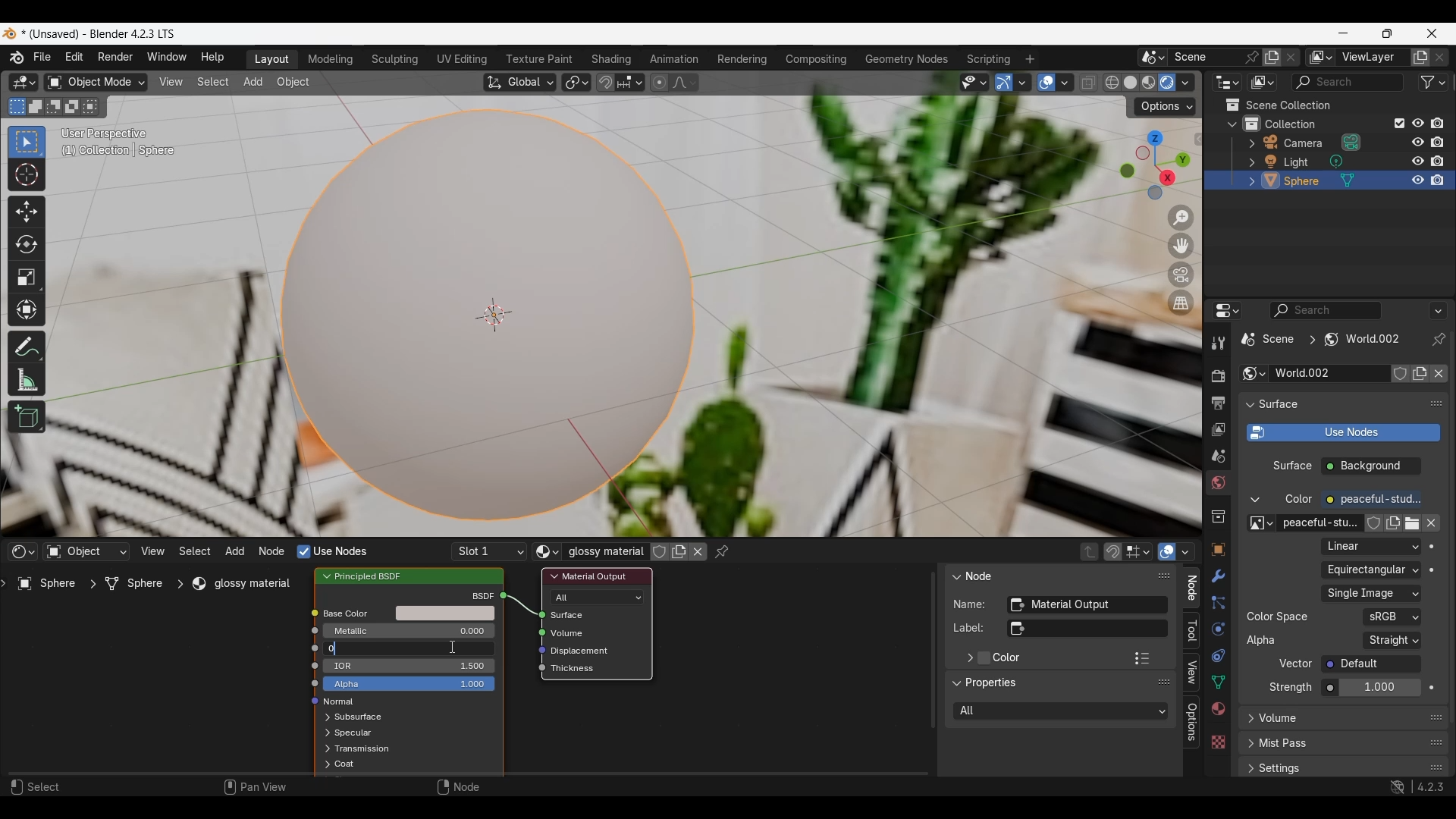  I want to click on Overlay options, so click(1065, 83).